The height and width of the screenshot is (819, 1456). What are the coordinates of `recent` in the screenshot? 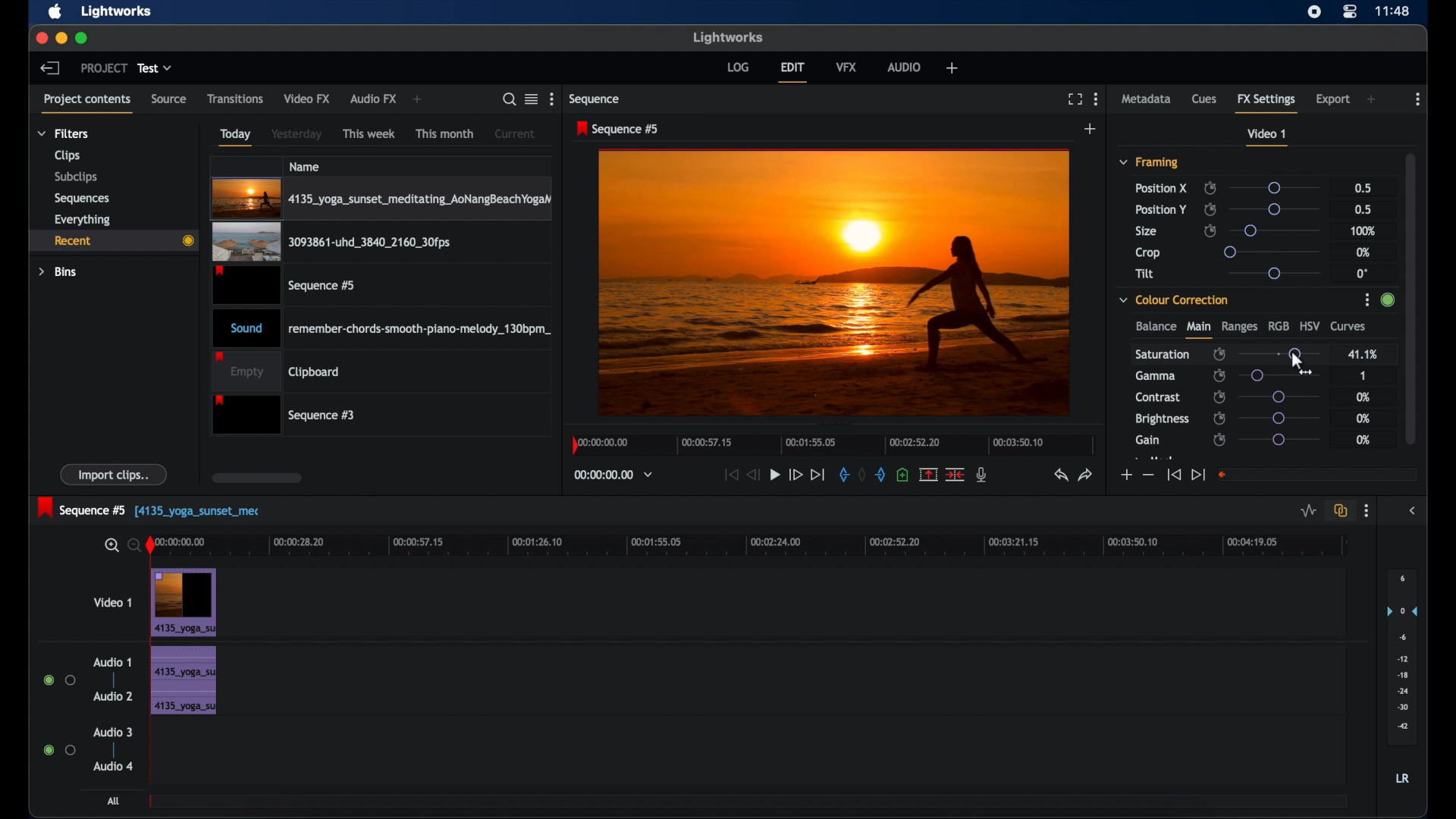 It's located at (113, 240).